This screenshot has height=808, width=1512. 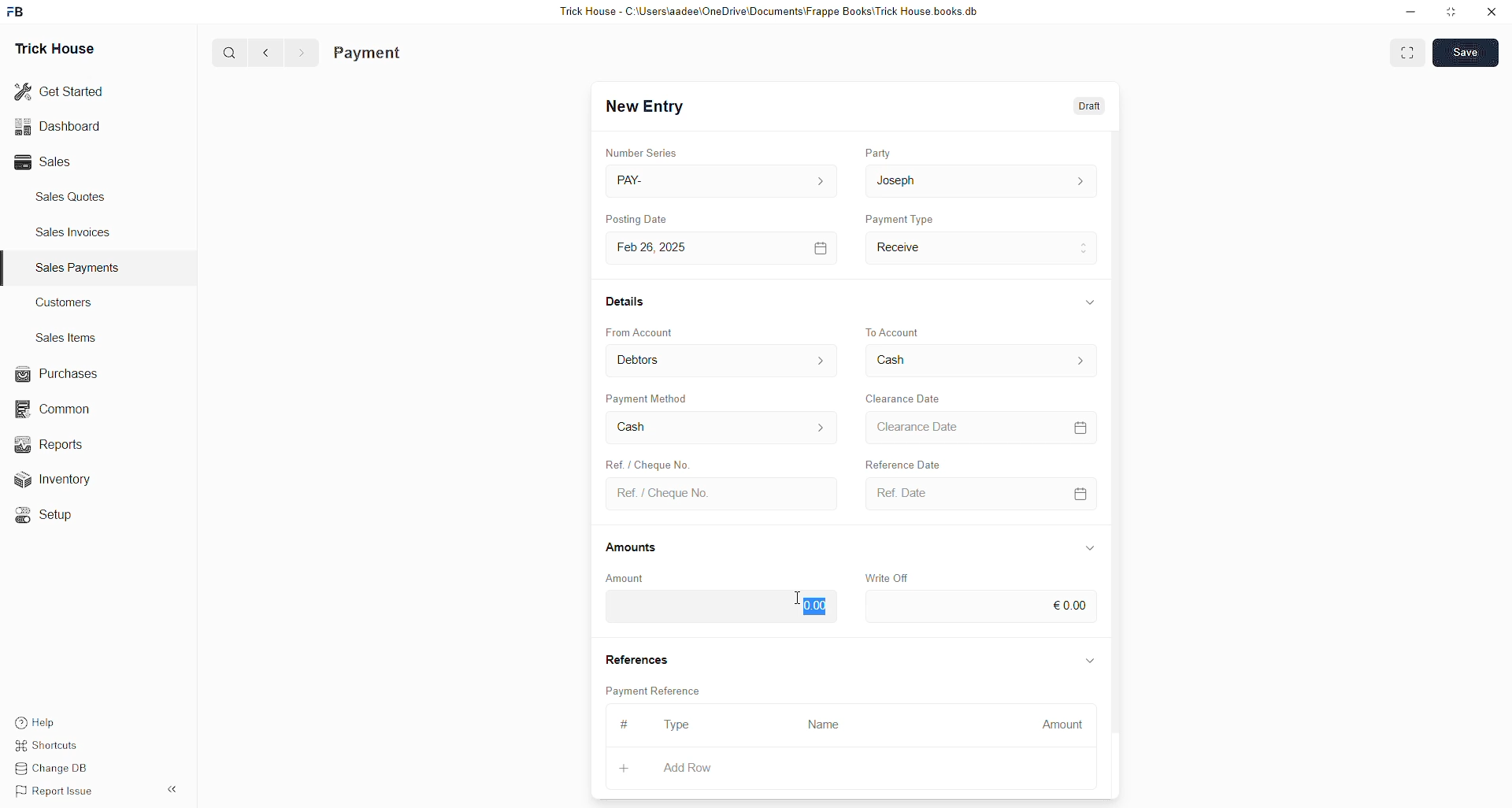 What do you see at coordinates (627, 301) in the screenshot?
I see `Details` at bounding box center [627, 301].